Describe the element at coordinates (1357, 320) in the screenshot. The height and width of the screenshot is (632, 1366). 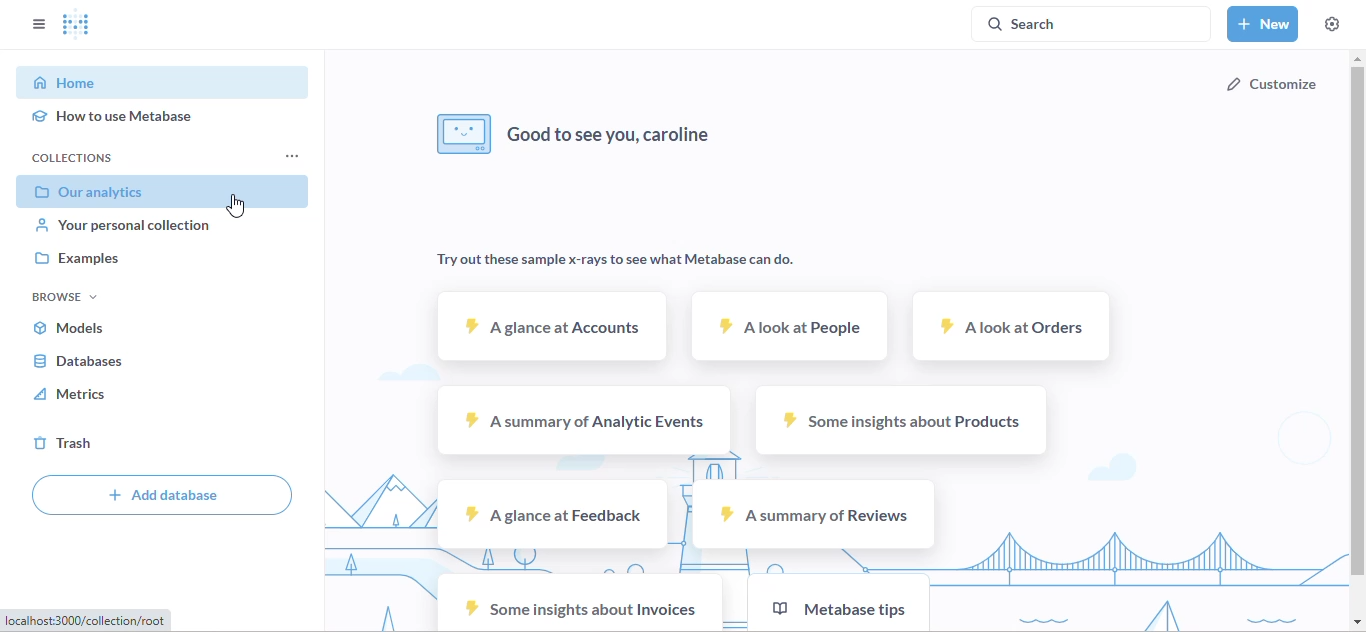
I see `vertical scroll bar` at that location.